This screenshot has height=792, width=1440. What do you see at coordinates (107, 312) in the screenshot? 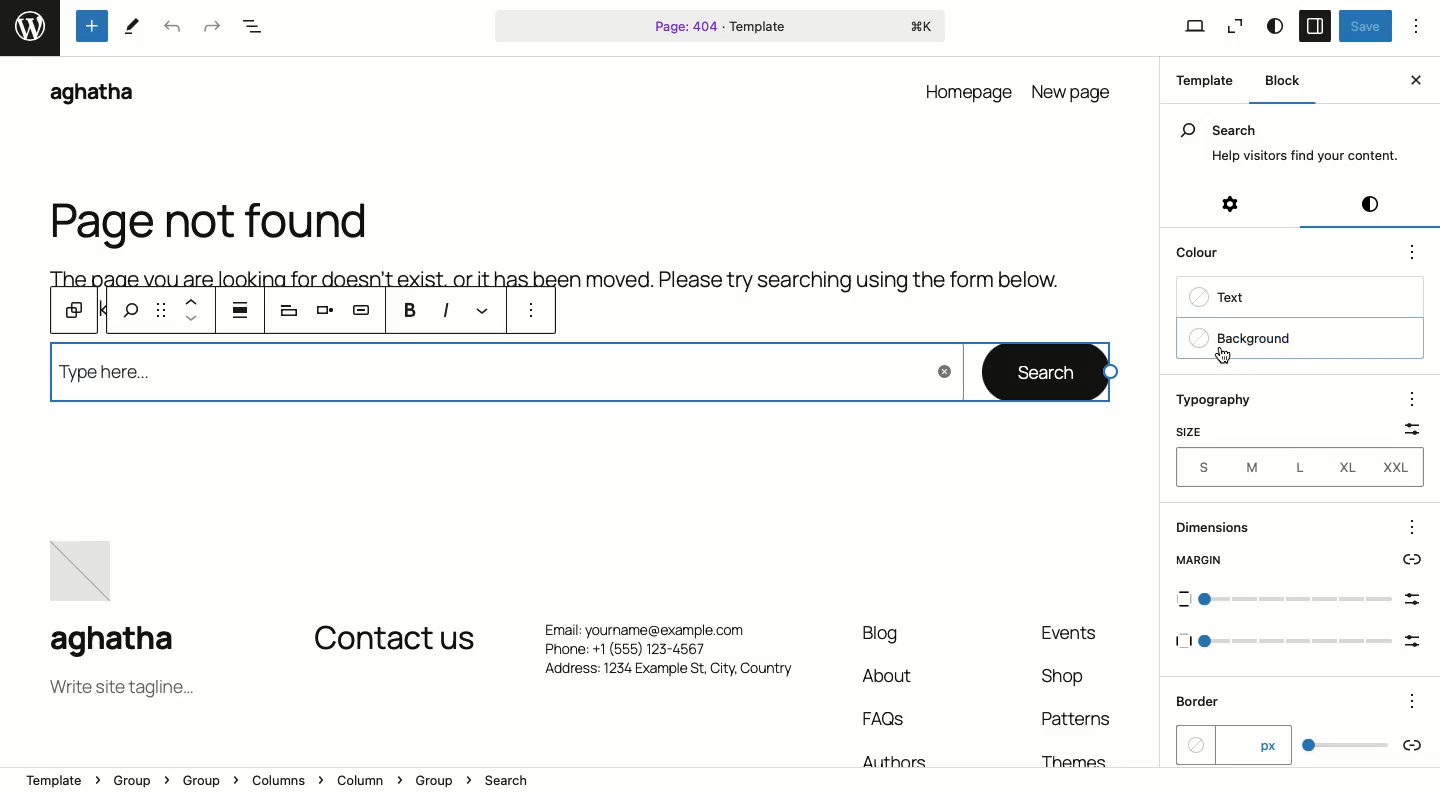
I see `previous tools` at bounding box center [107, 312].